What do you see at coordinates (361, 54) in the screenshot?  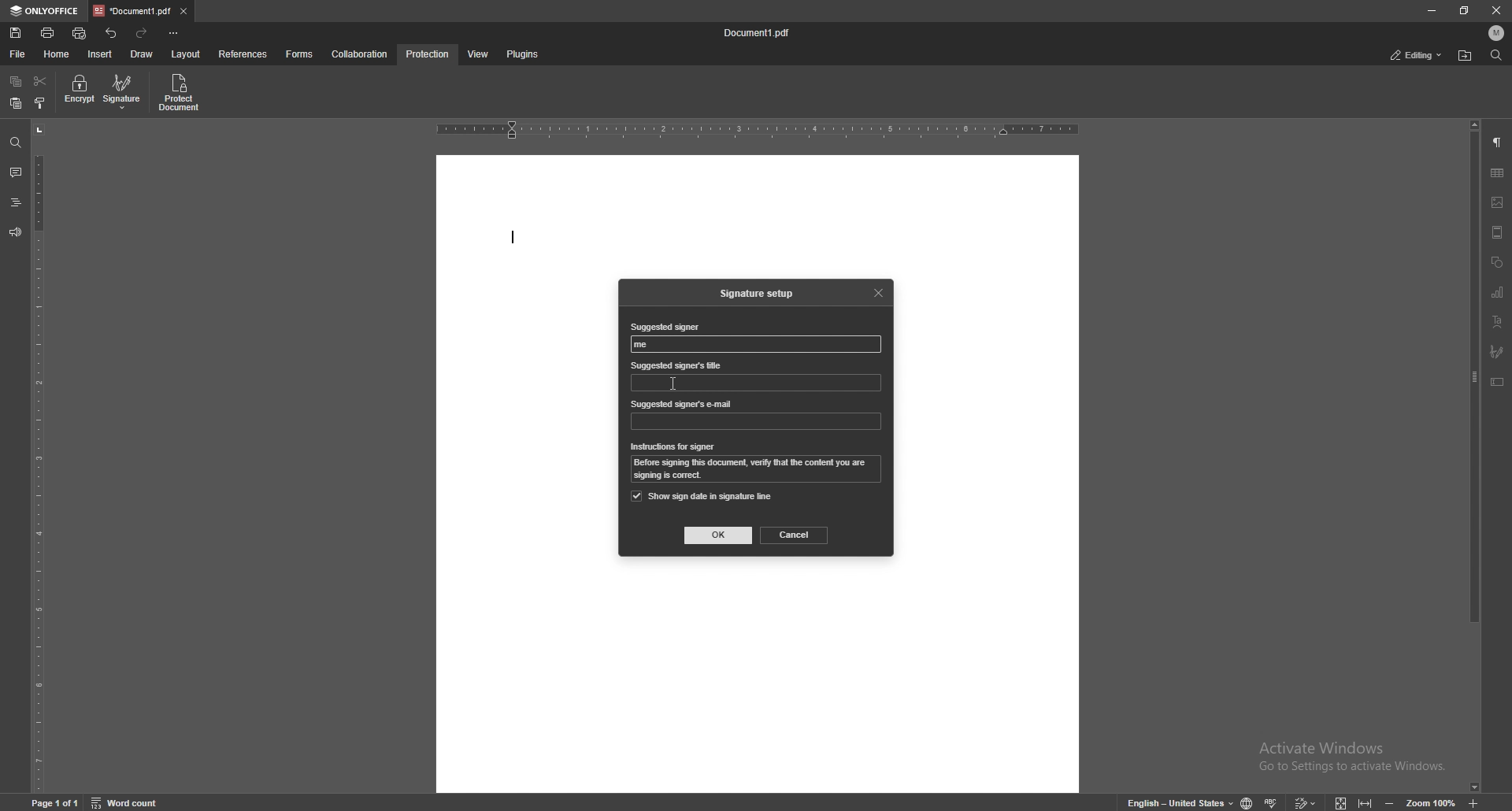 I see `collaboration` at bounding box center [361, 54].